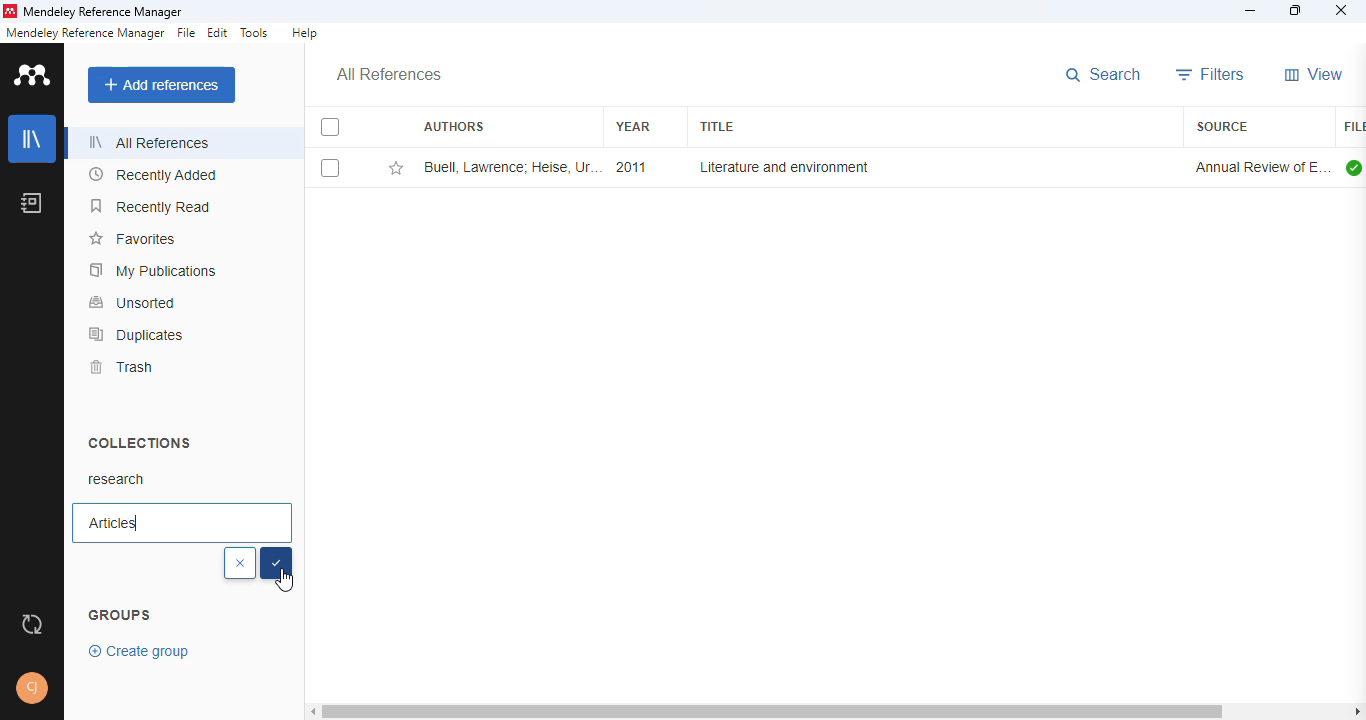 This screenshot has height=720, width=1366. Describe the element at coordinates (332, 169) in the screenshot. I see `select` at that location.